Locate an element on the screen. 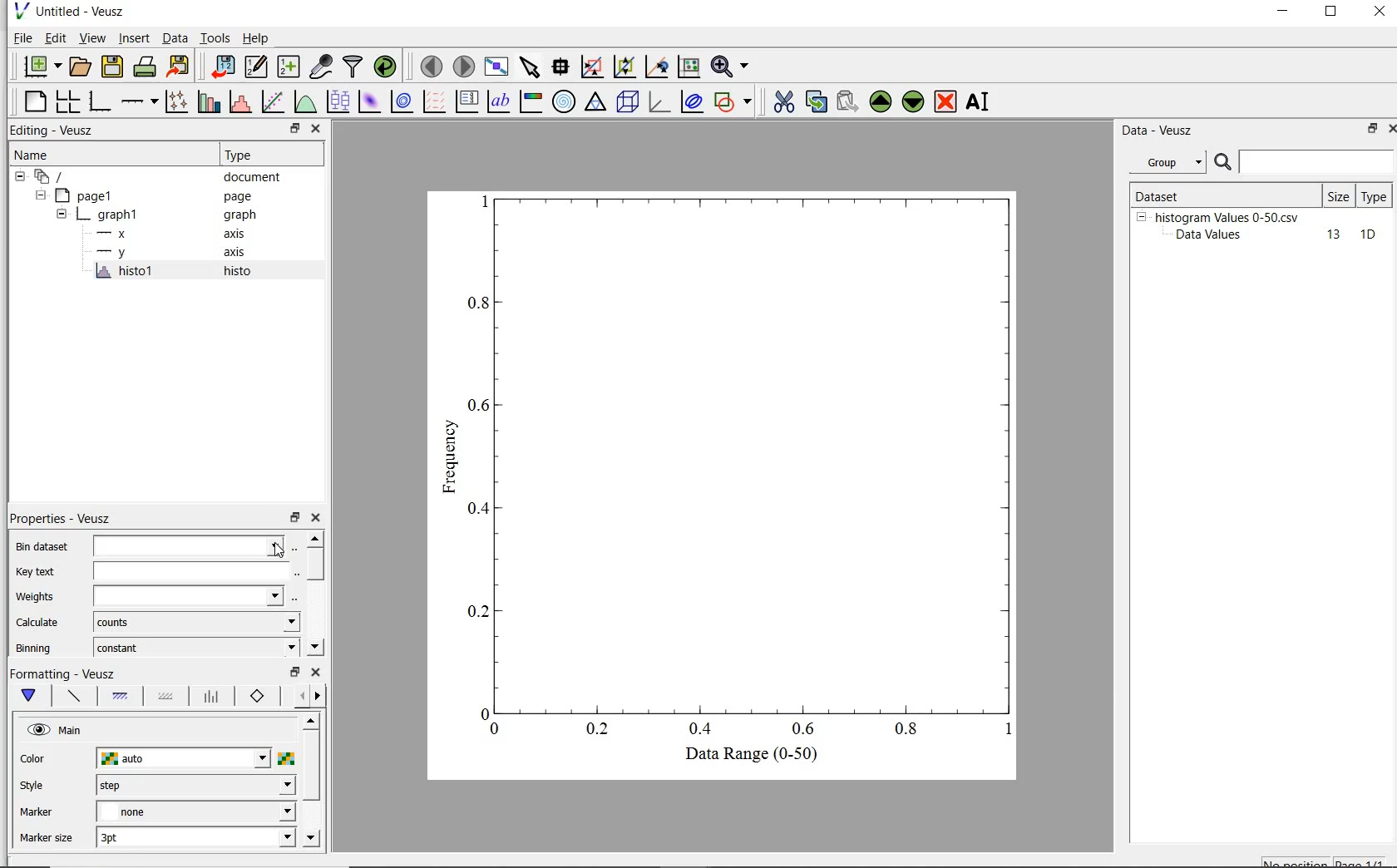  copy the selected widget is located at coordinates (815, 104).